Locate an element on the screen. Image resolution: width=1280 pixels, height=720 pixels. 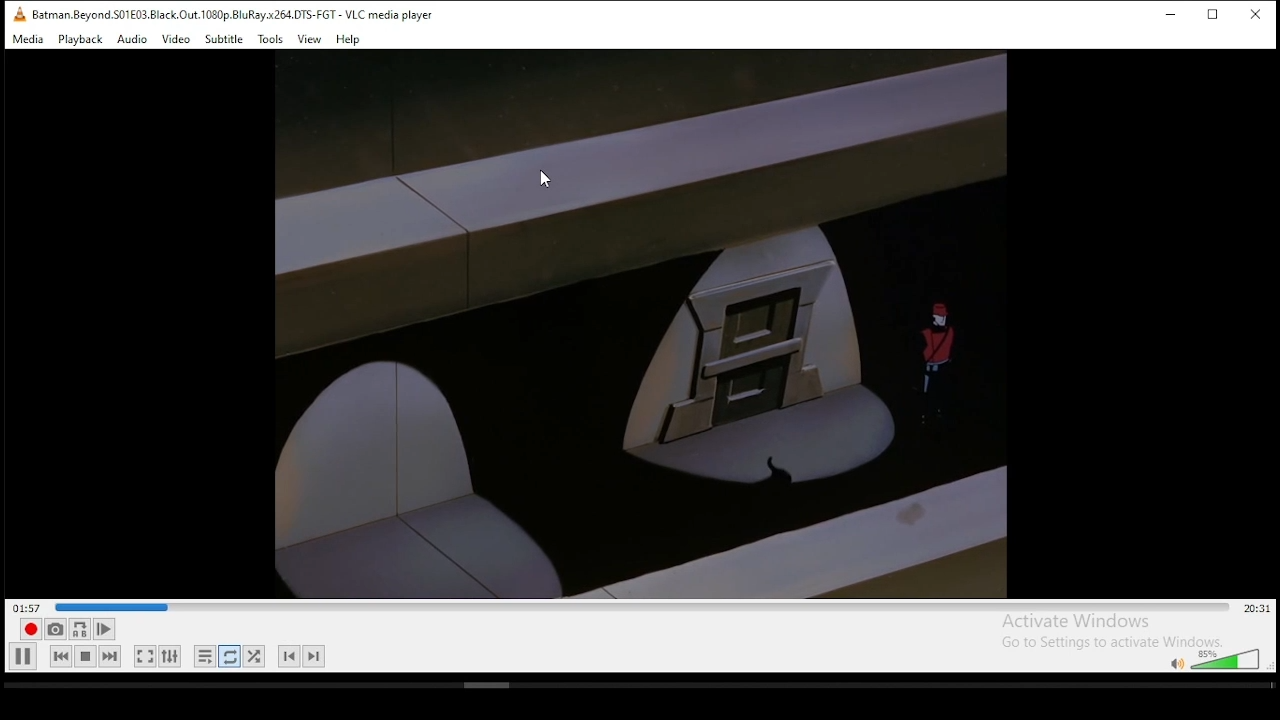
previous chapter is located at coordinates (289, 656).